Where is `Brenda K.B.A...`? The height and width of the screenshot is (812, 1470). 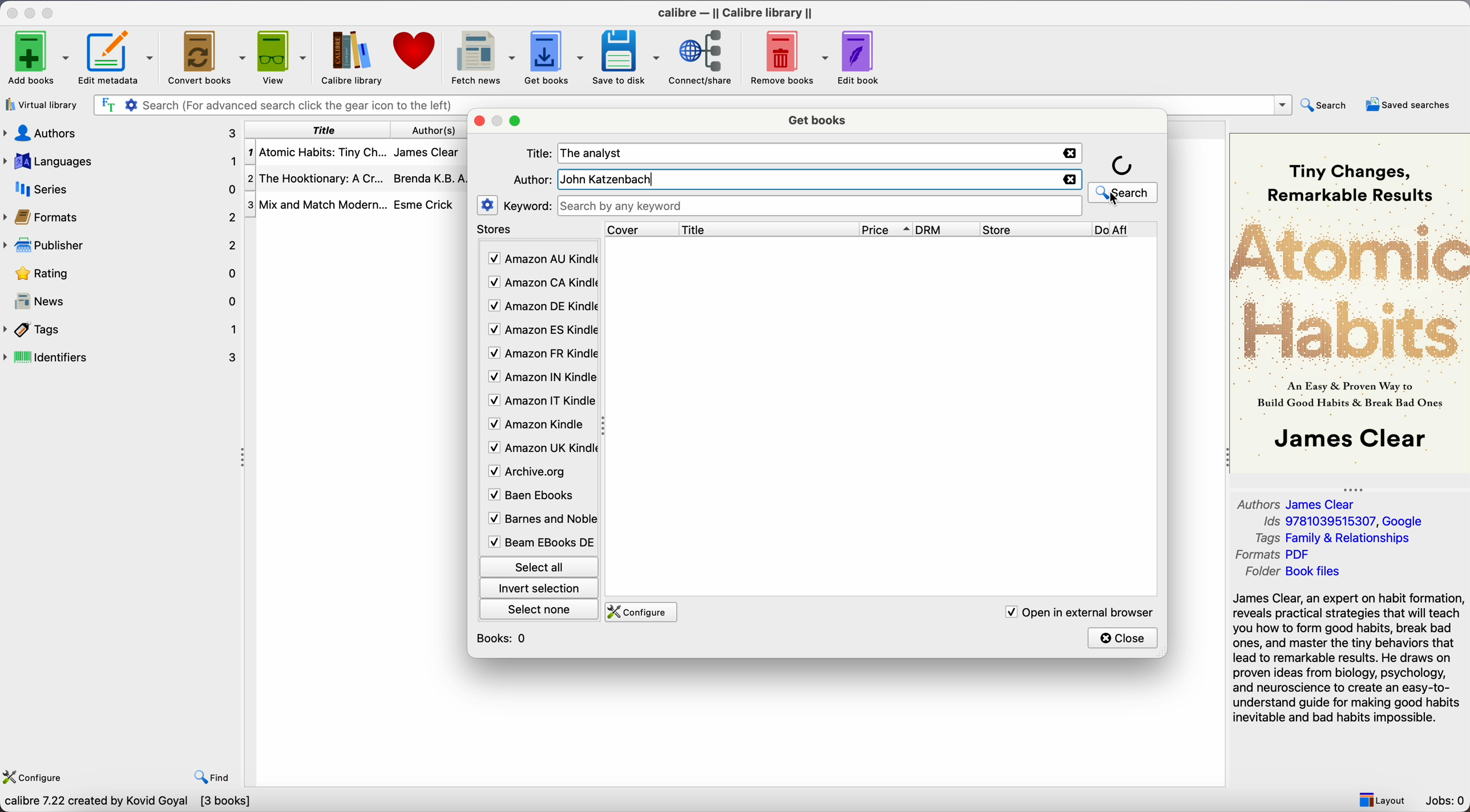 Brenda K.B.A... is located at coordinates (434, 178).